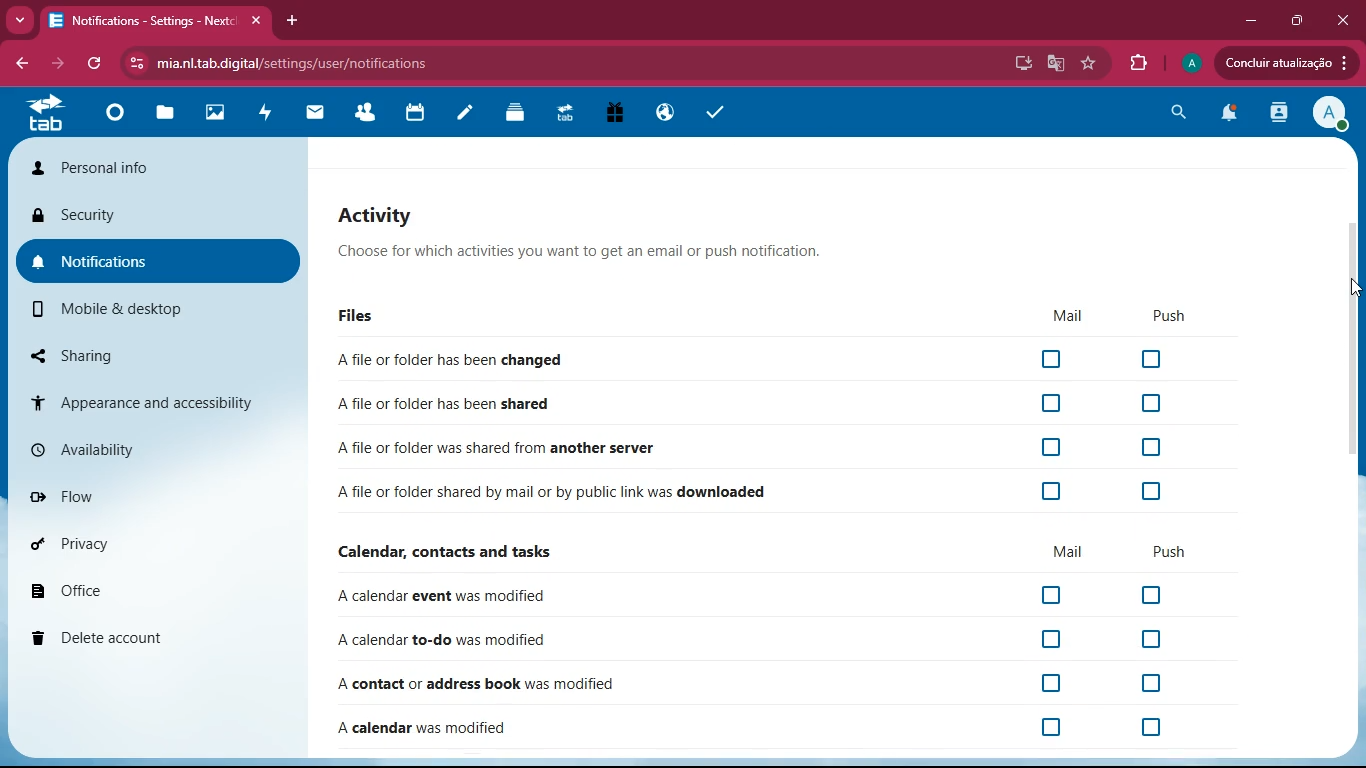 This screenshot has height=768, width=1366. I want to click on Files, so click(353, 316).